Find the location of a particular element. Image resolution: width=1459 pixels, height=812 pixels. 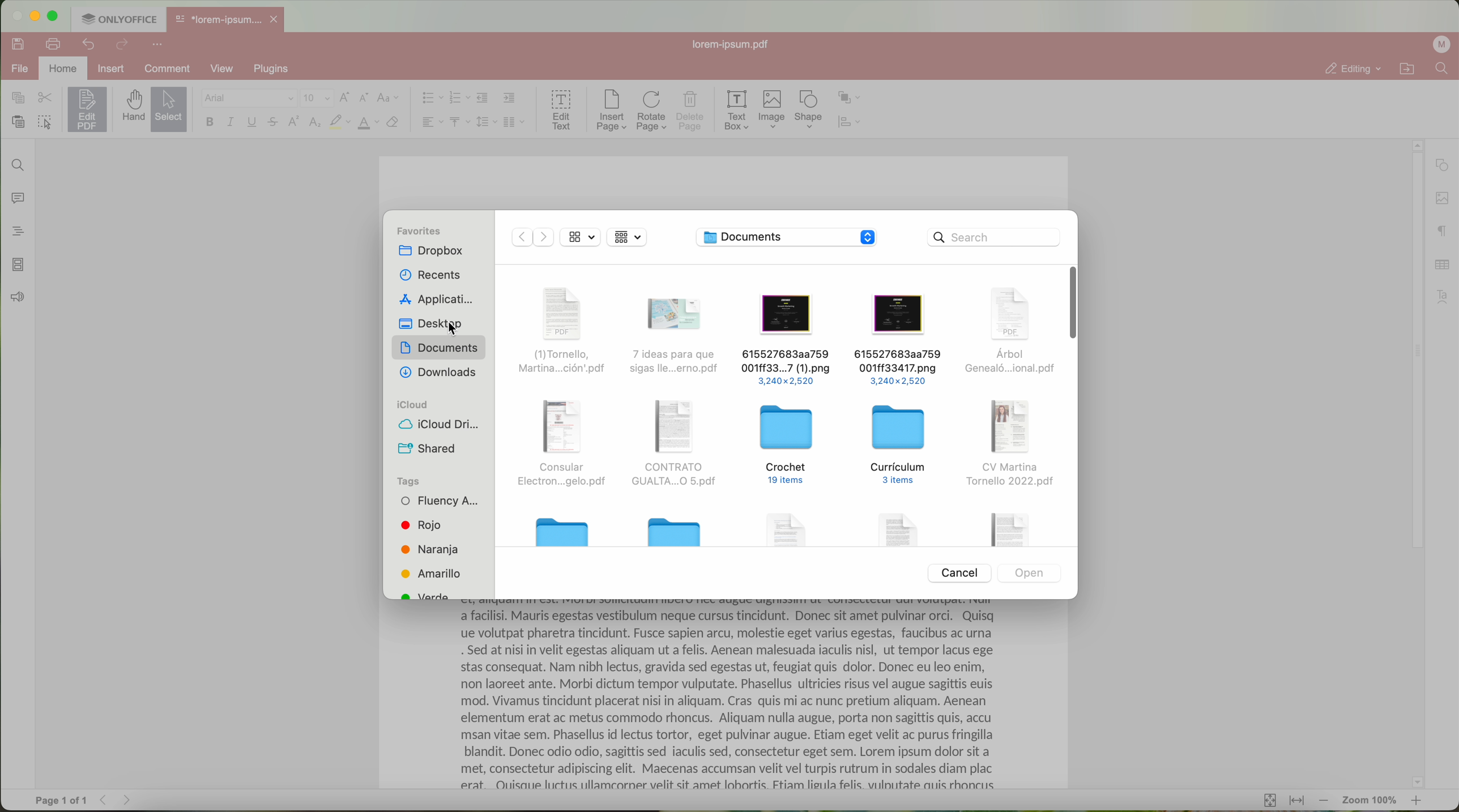

folder is located at coordinates (563, 530).